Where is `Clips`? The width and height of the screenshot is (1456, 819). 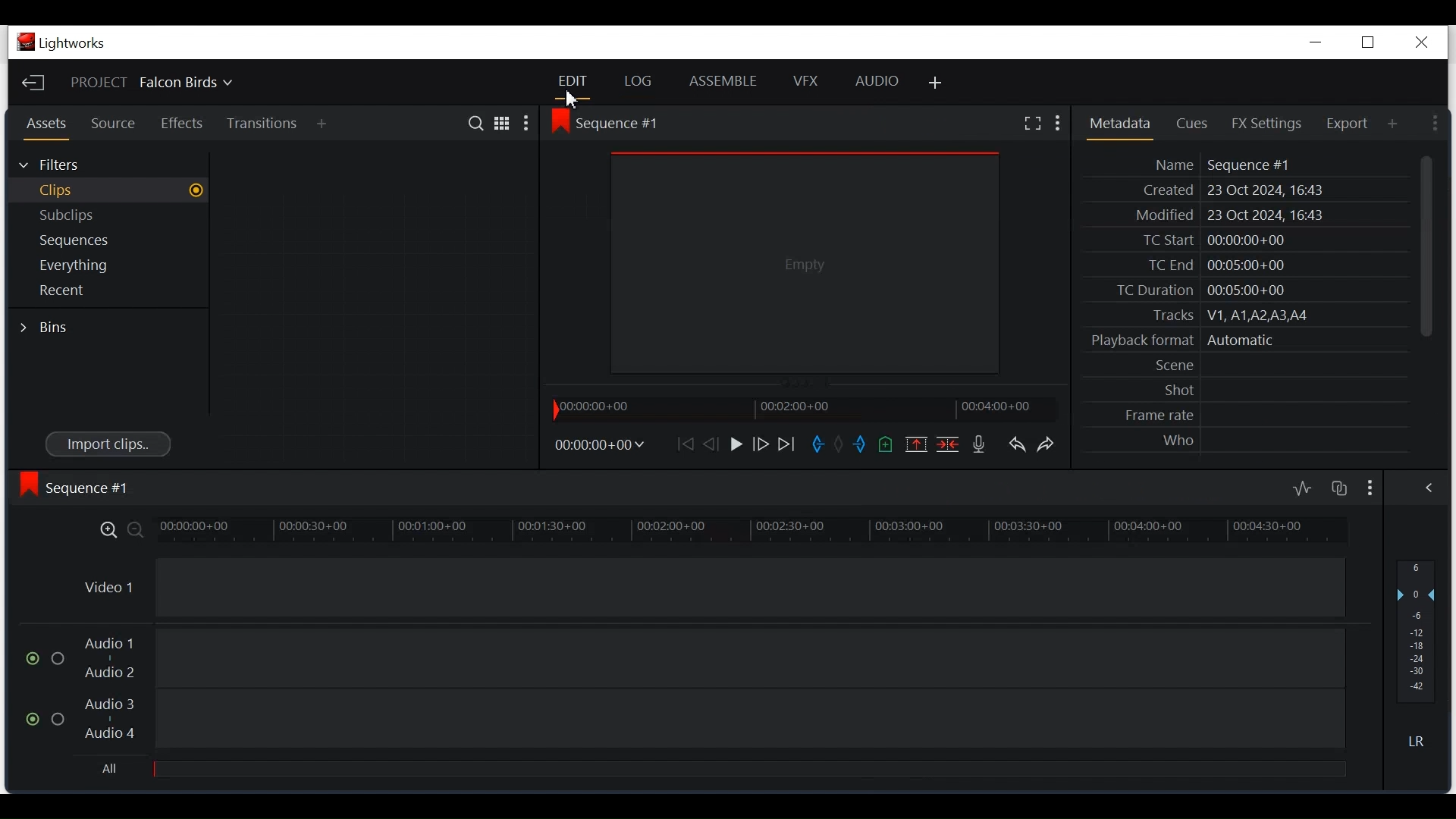
Clips is located at coordinates (106, 189).